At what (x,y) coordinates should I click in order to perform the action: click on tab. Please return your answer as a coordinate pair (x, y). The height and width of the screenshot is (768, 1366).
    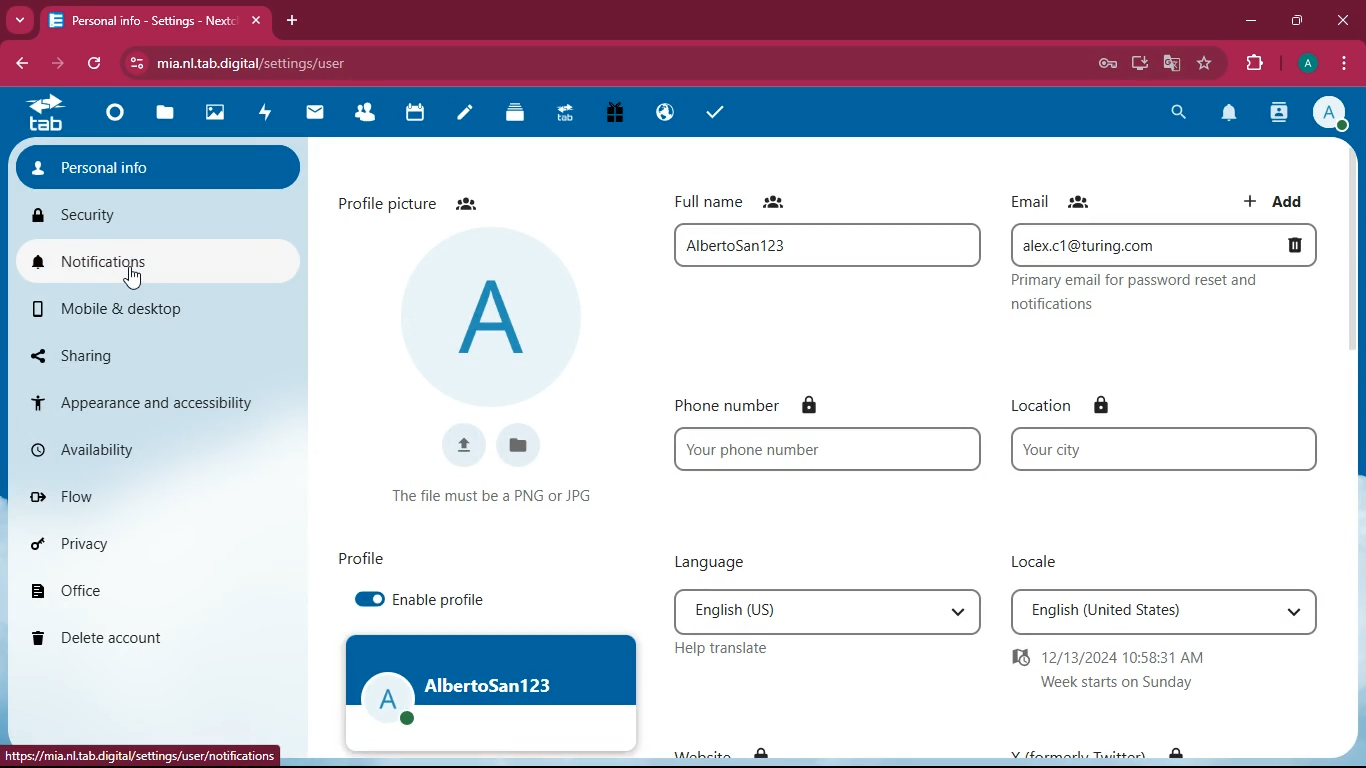
    Looking at the image, I should click on (564, 112).